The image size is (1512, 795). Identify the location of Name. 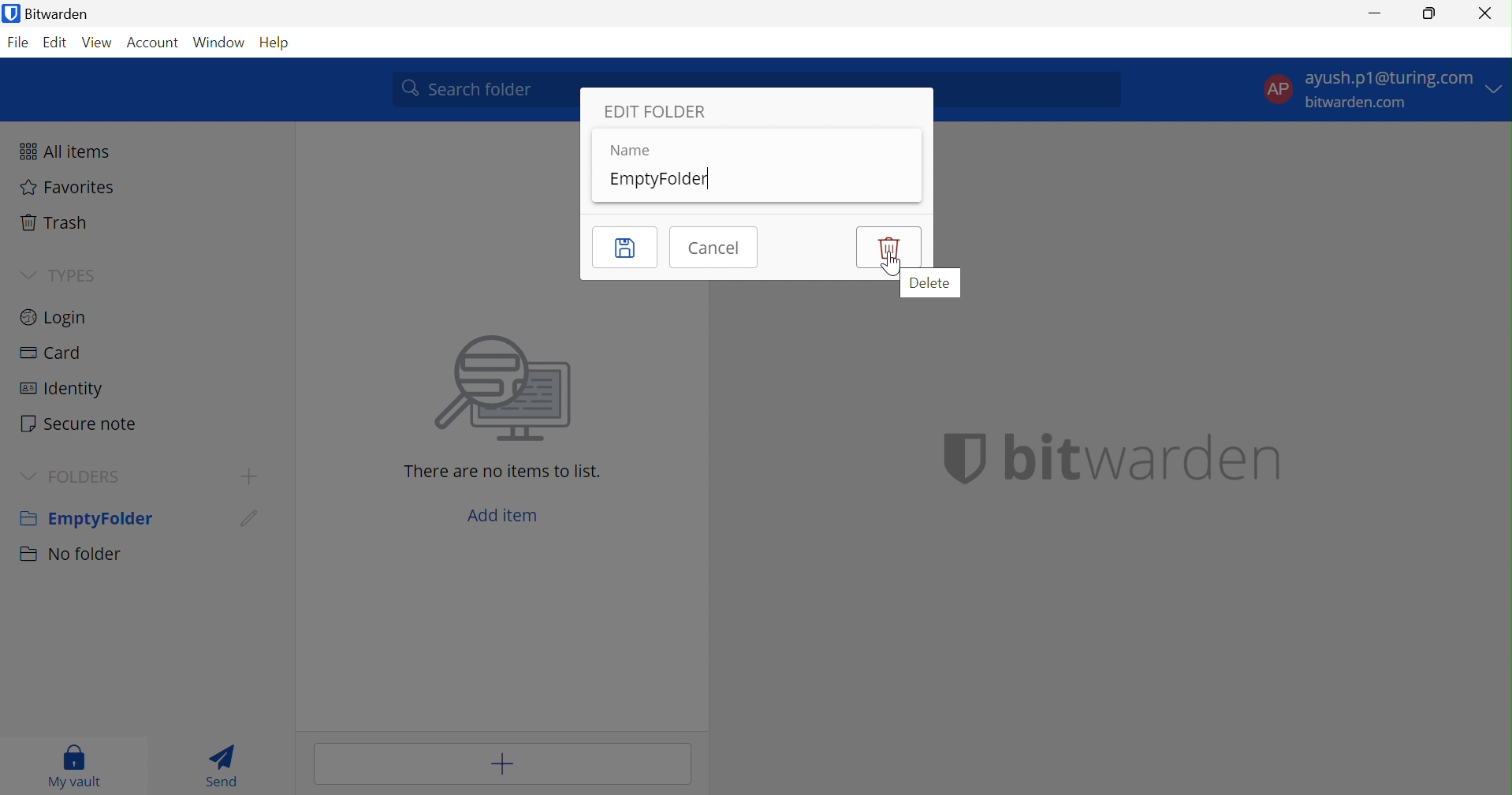
(627, 151).